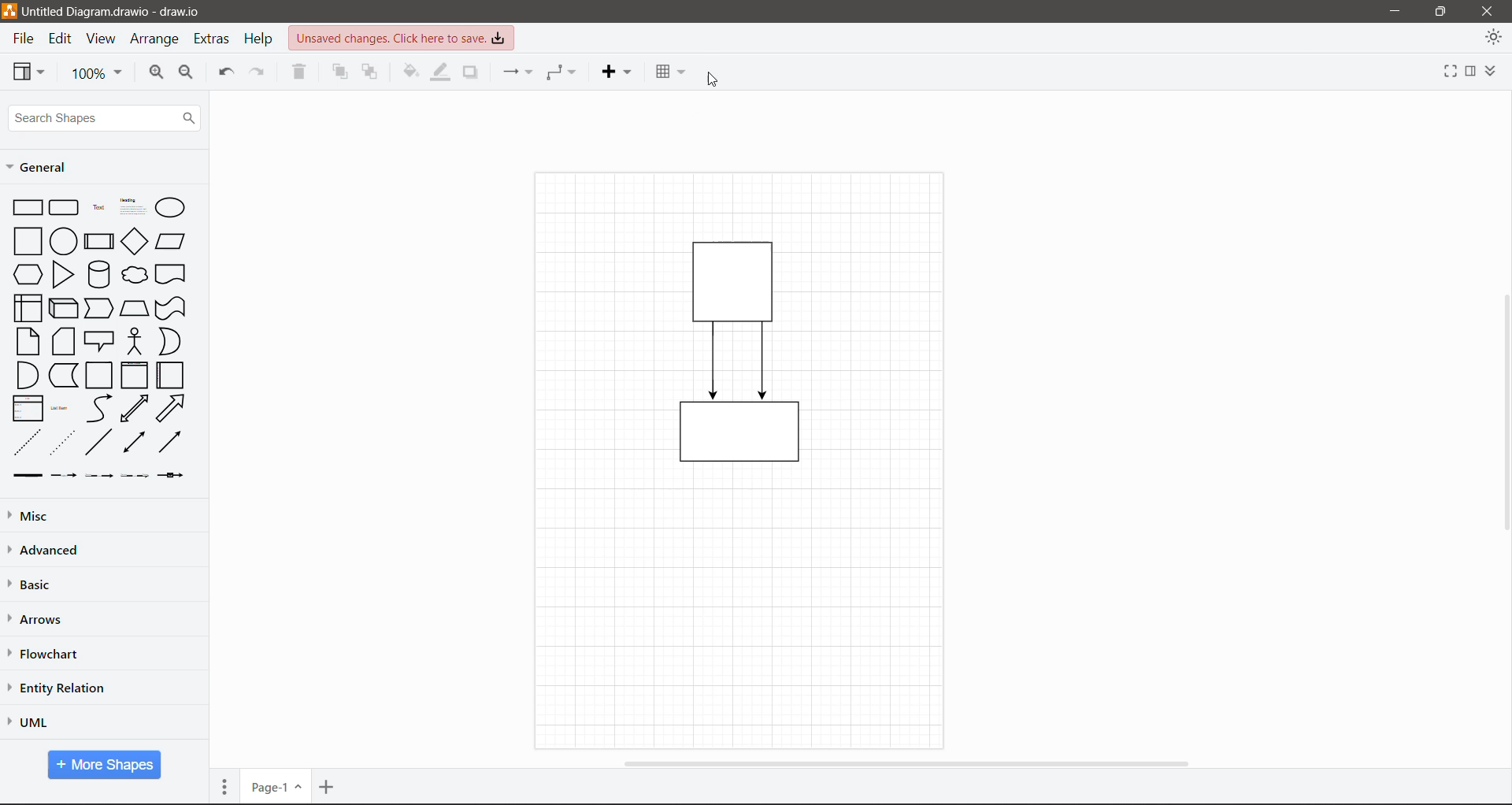 The image size is (1512, 805). I want to click on Text, so click(98, 206).